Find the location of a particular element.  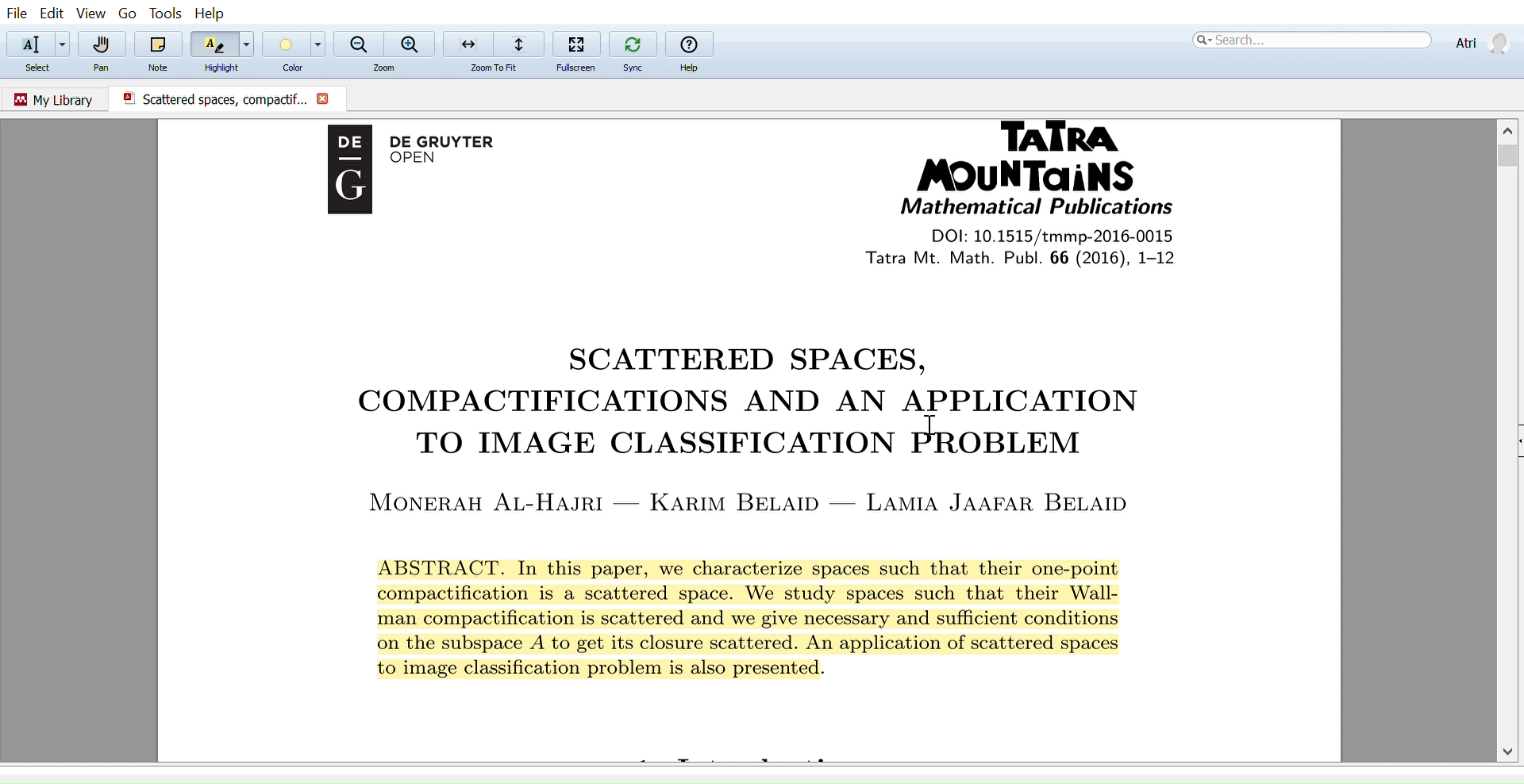

DOI: 10.1515/tmmp-2016-0015 is located at coordinates (1046, 235).